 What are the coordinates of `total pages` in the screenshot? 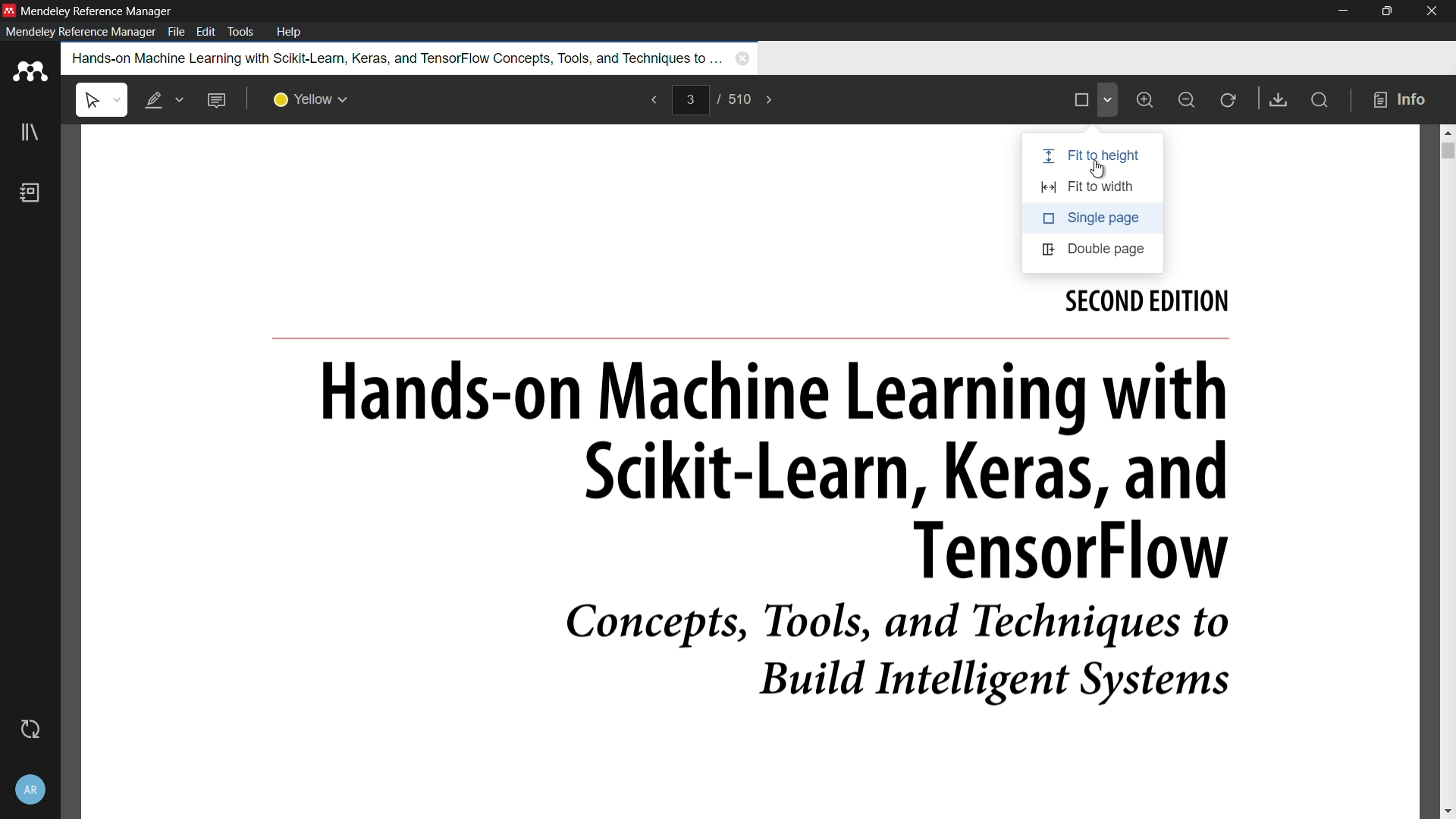 It's located at (740, 100).